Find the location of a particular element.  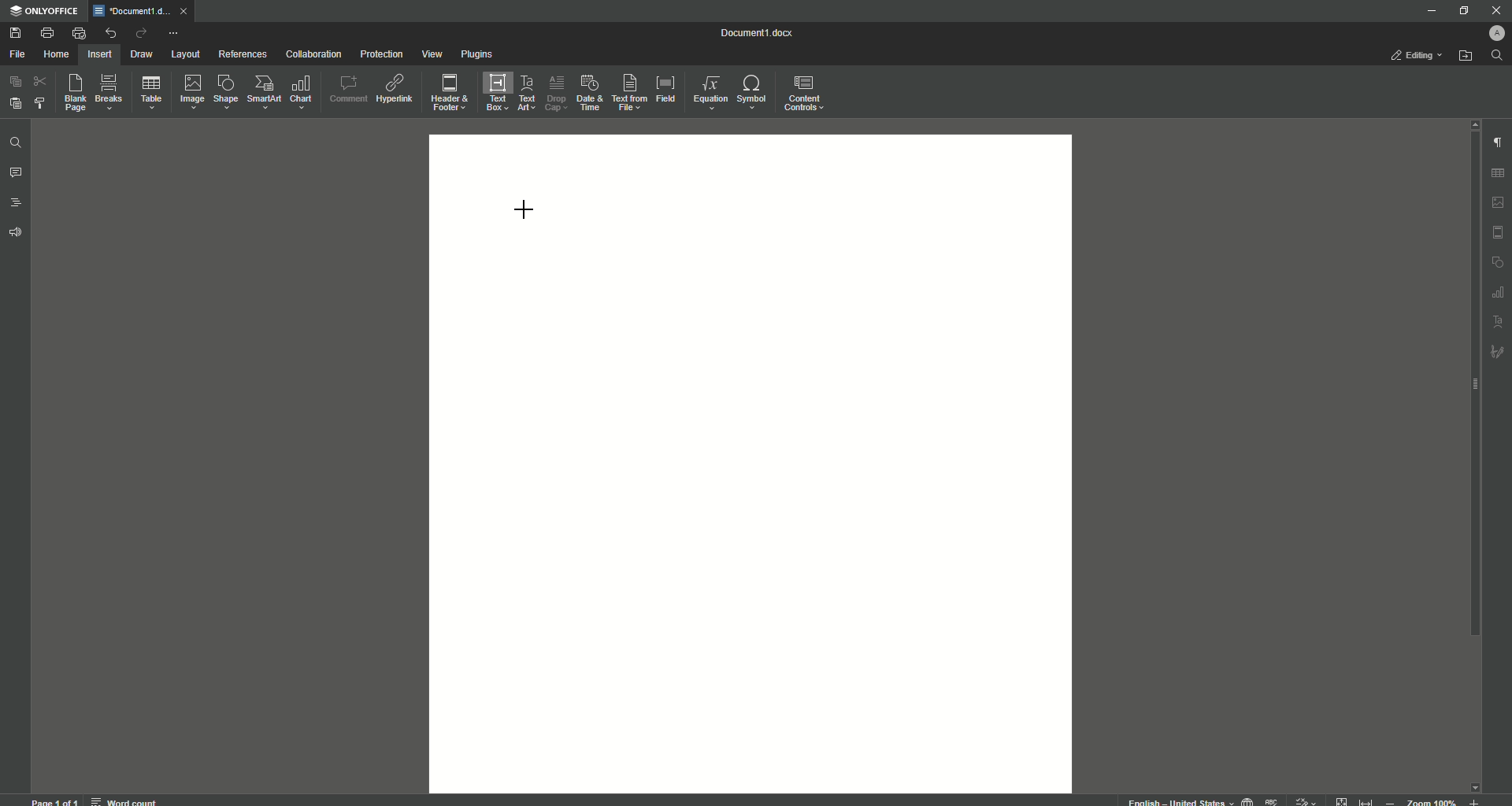

Redo is located at coordinates (140, 35).